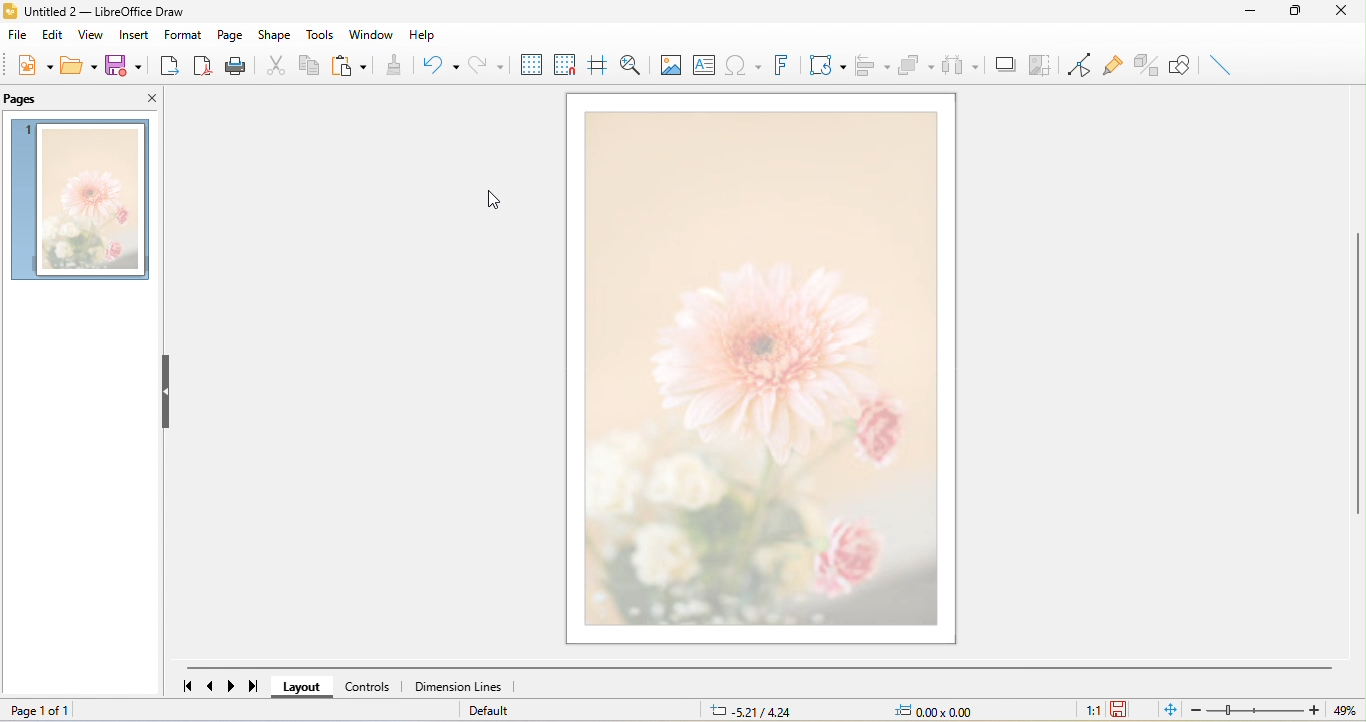  What do you see at coordinates (165, 63) in the screenshot?
I see `export` at bounding box center [165, 63].